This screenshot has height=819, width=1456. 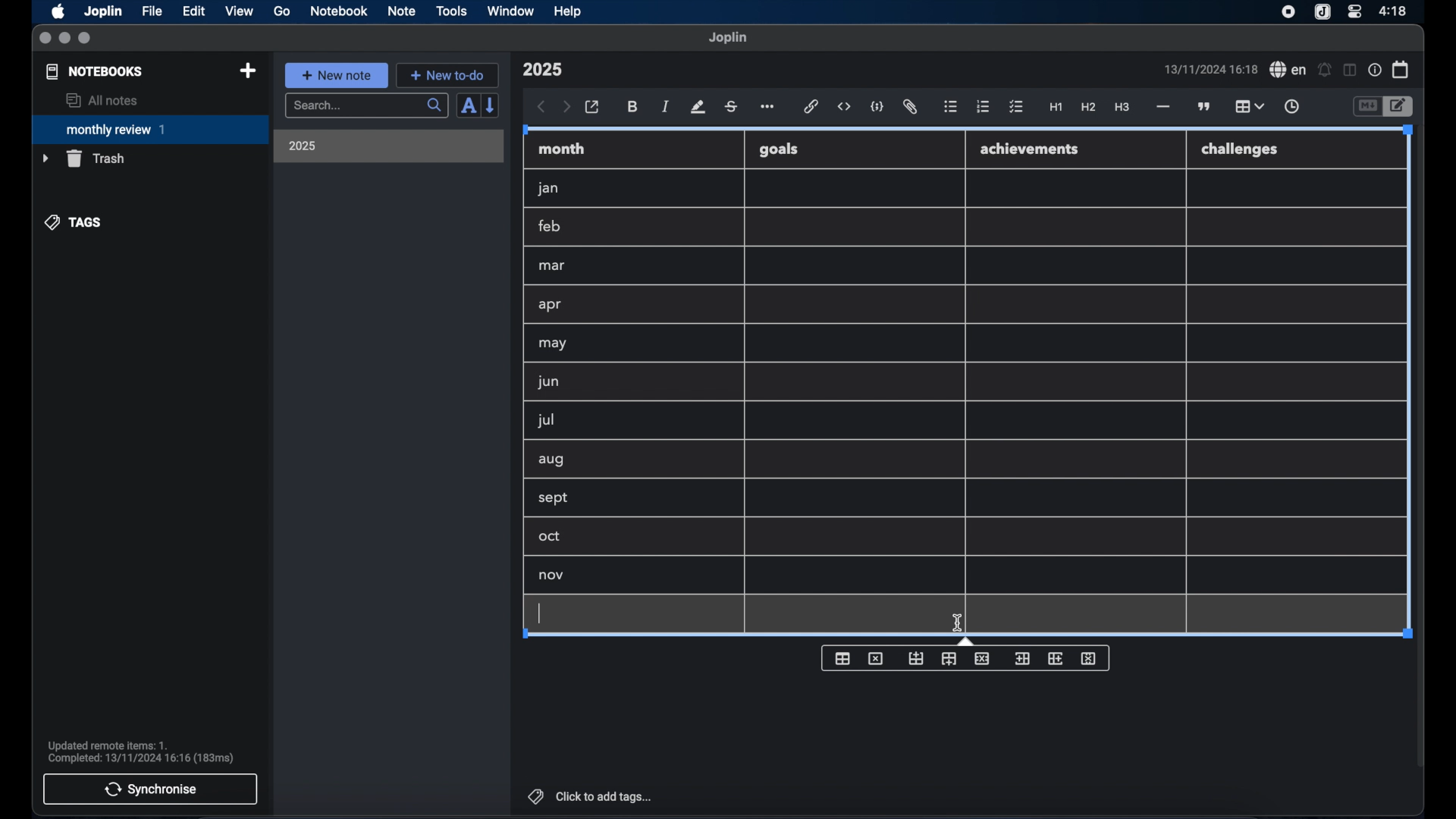 I want to click on synchronise, so click(x=150, y=789).